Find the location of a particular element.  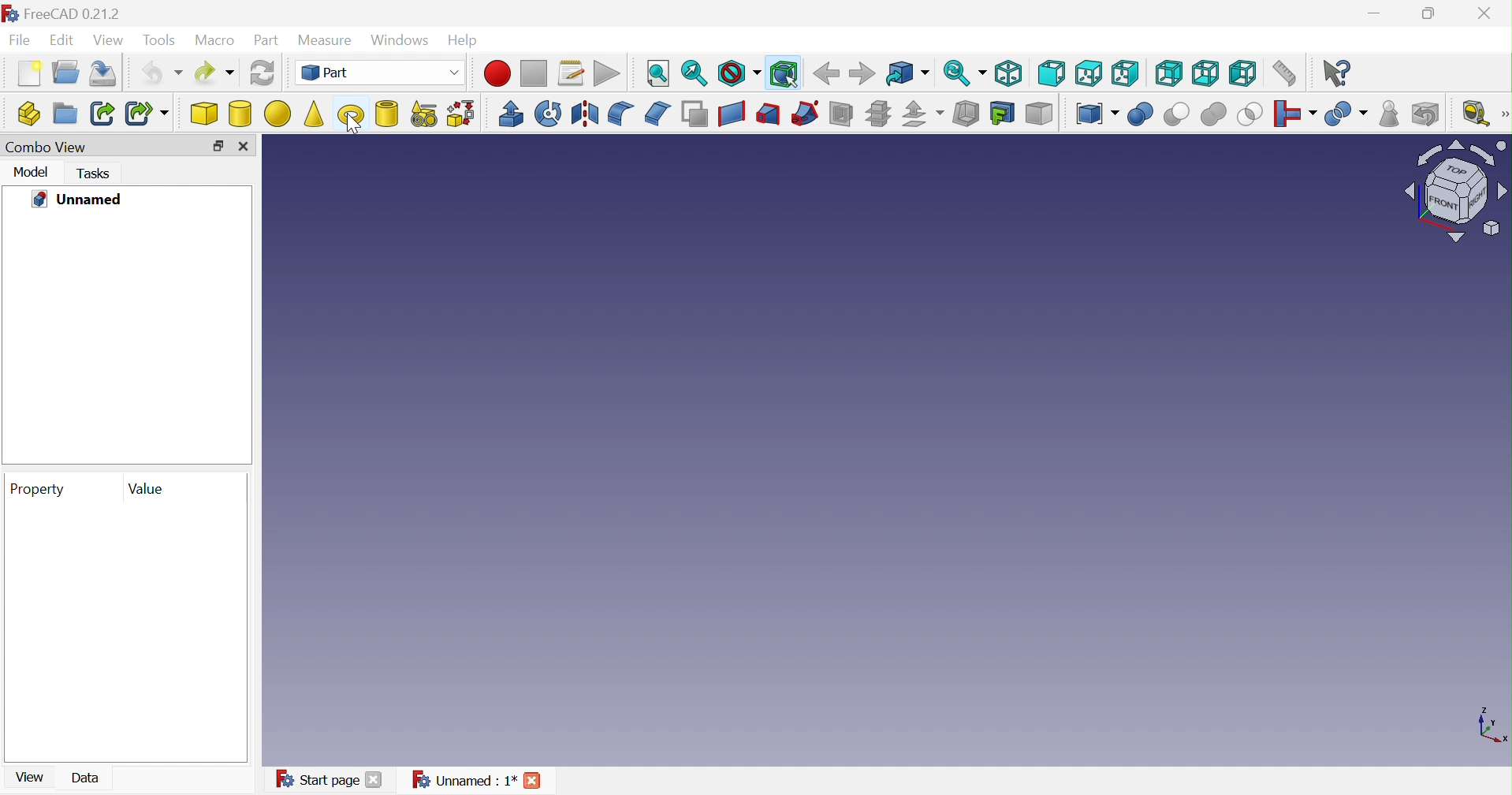

What's this? is located at coordinates (1335, 74).